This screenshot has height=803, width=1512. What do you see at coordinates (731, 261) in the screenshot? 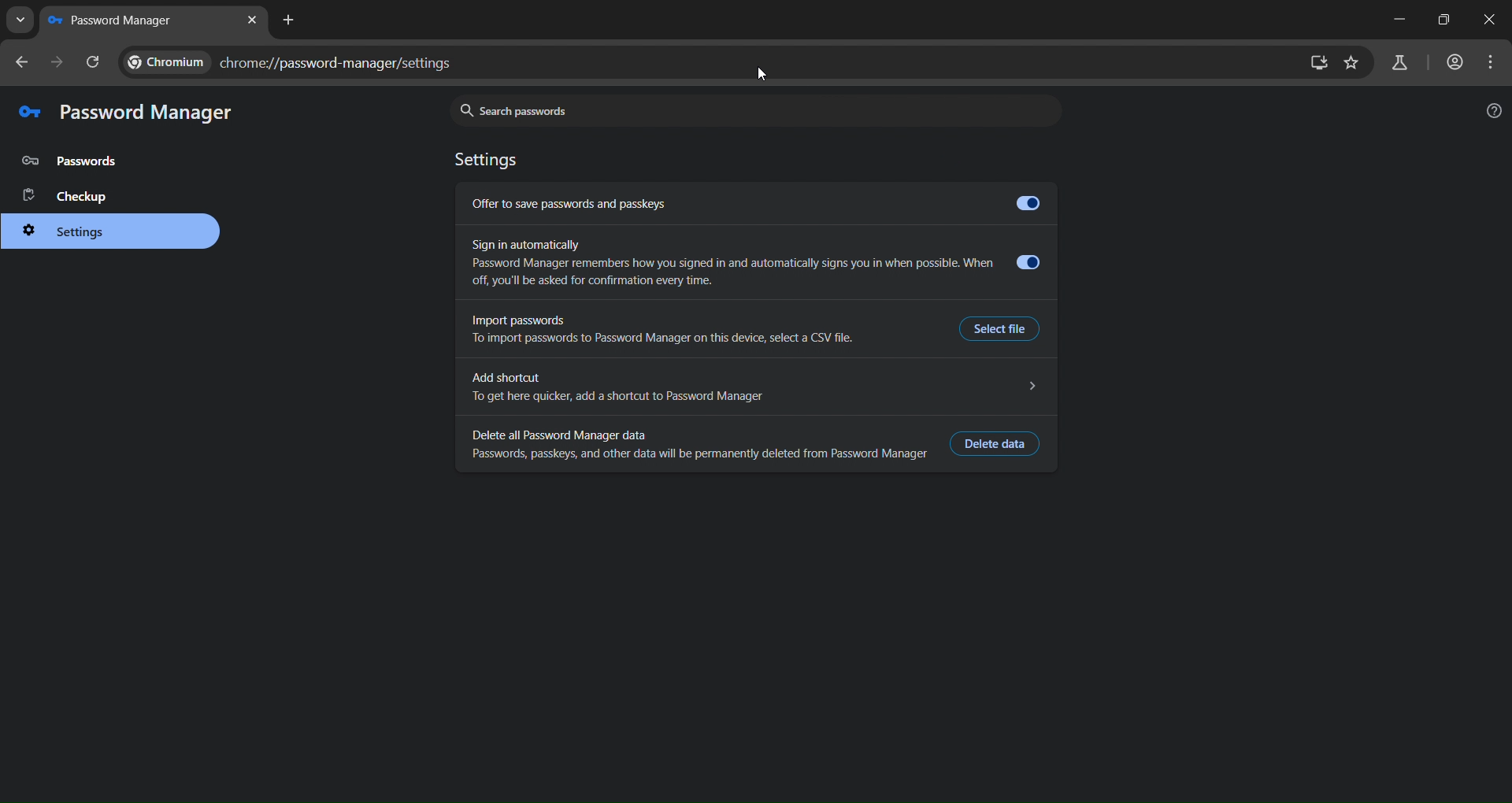
I see `Sign in automatically
Password Manager remembers how you signed in and automatically signs you in when possible. When
off, you'll be asked for confirmation every time.` at bounding box center [731, 261].